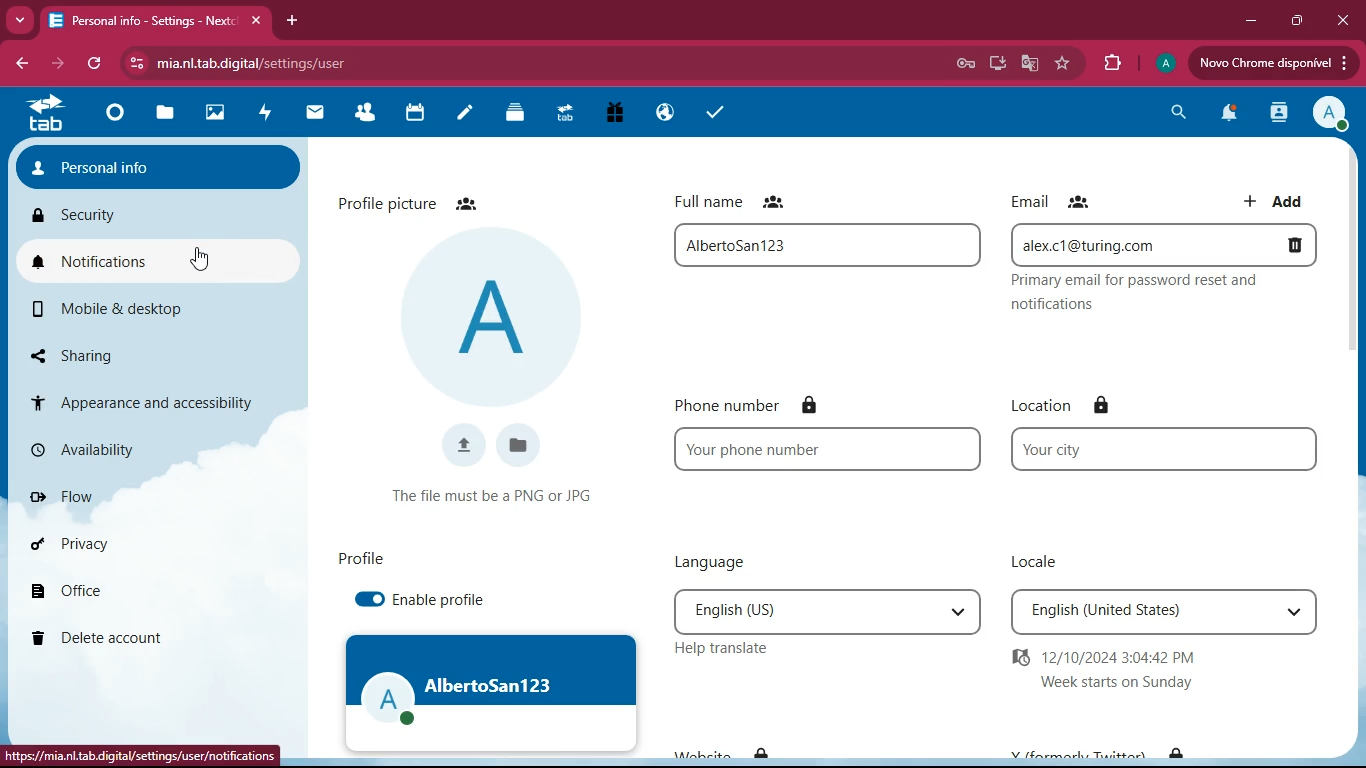 This screenshot has height=768, width=1366. What do you see at coordinates (45, 114) in the screenshot?
I see `tab` at bounding box center [45, 114].